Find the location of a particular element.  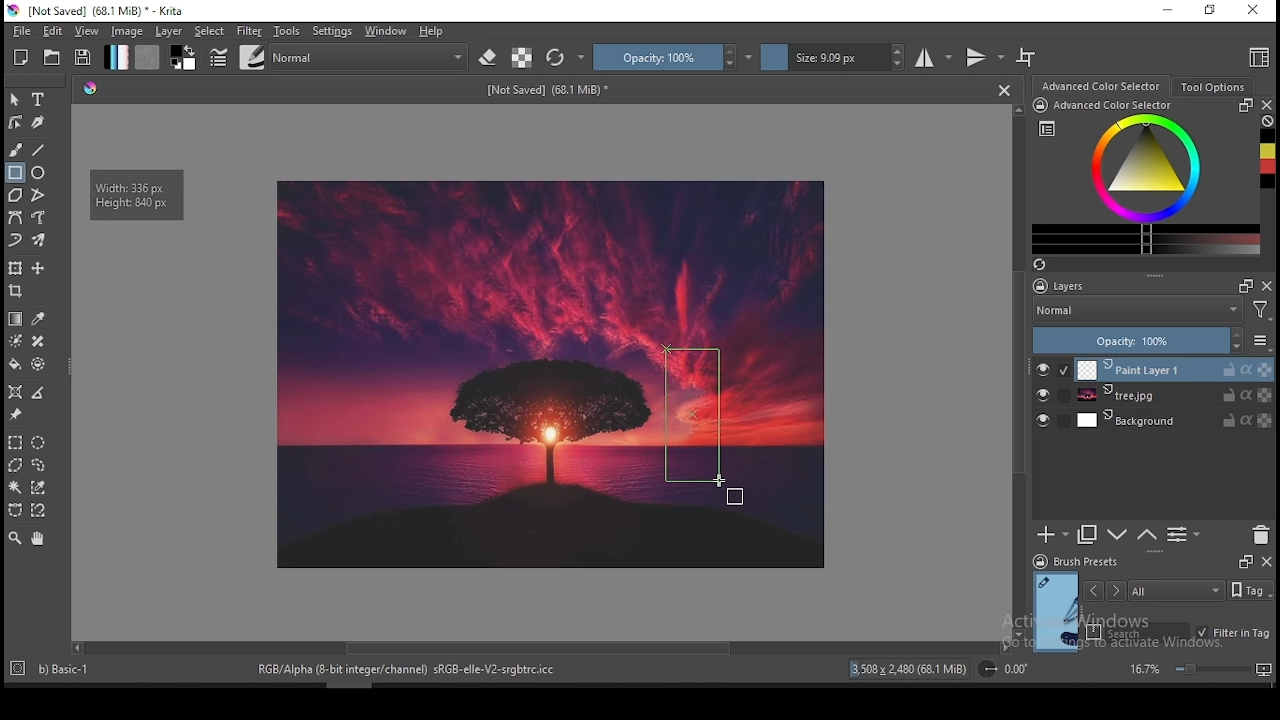

delete layer is located at coordinates (1262, 535).